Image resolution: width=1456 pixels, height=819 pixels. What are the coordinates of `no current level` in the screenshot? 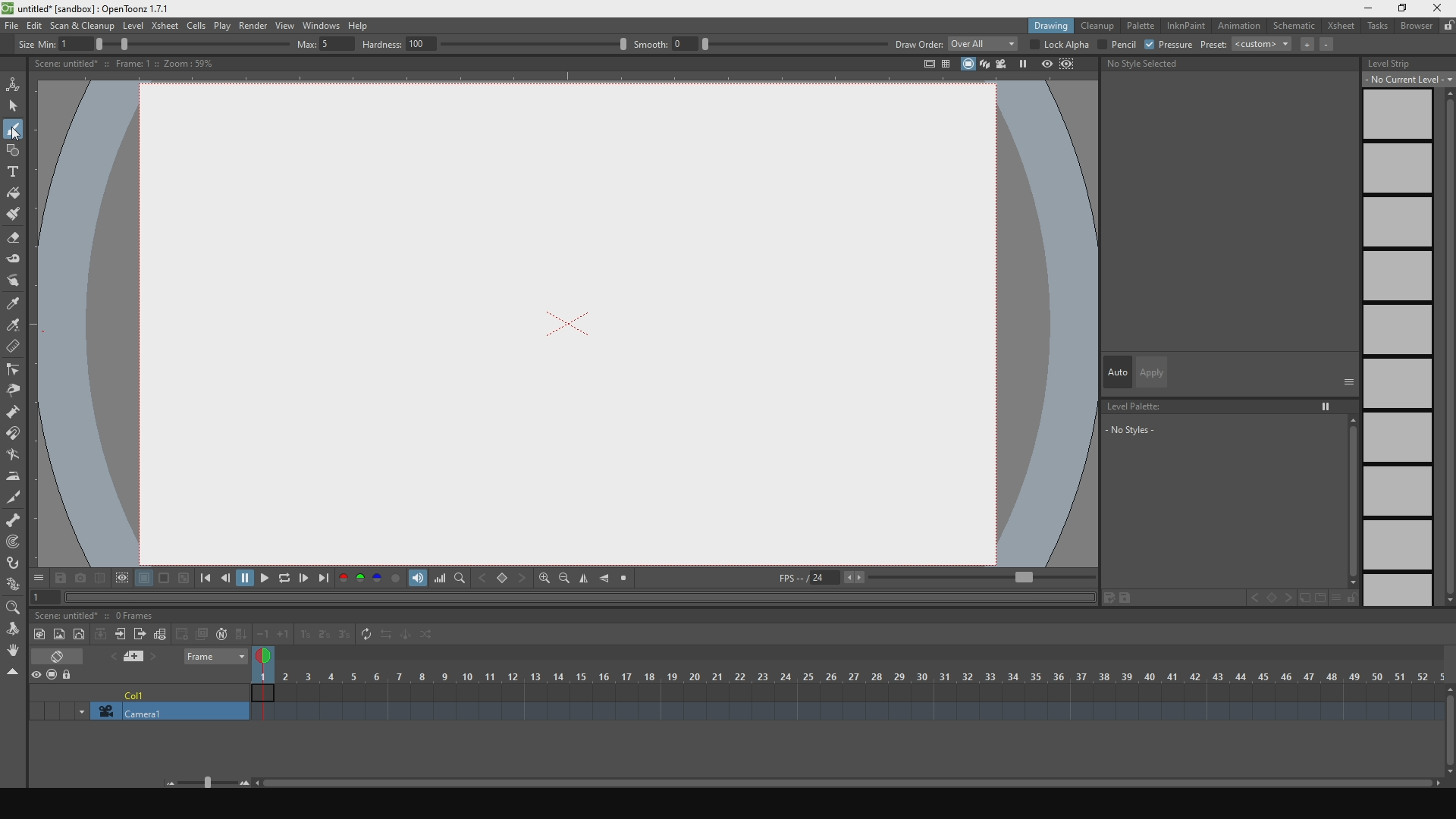 It's located at (1401, 80).